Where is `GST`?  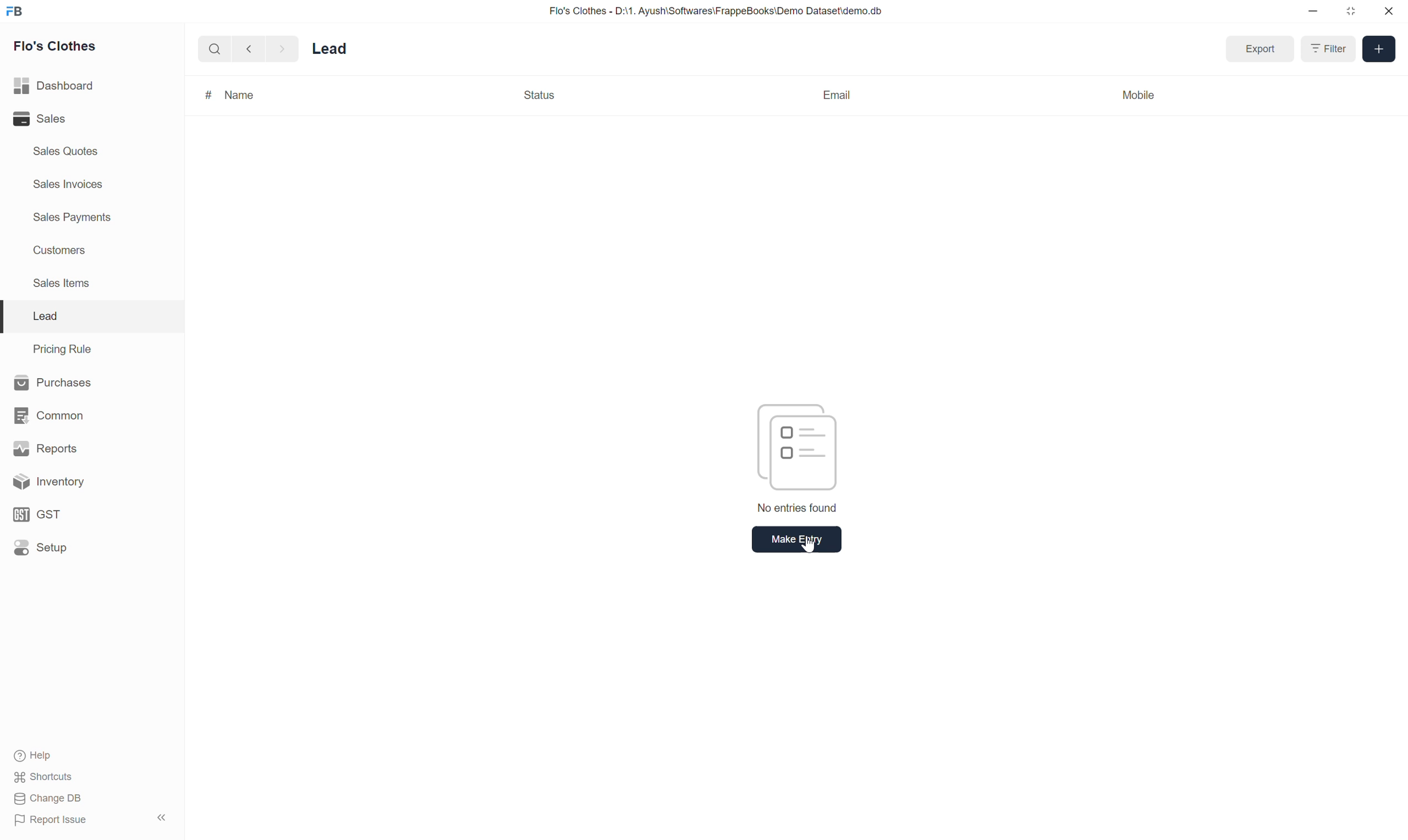 GST is located at coordinates (39, 515).